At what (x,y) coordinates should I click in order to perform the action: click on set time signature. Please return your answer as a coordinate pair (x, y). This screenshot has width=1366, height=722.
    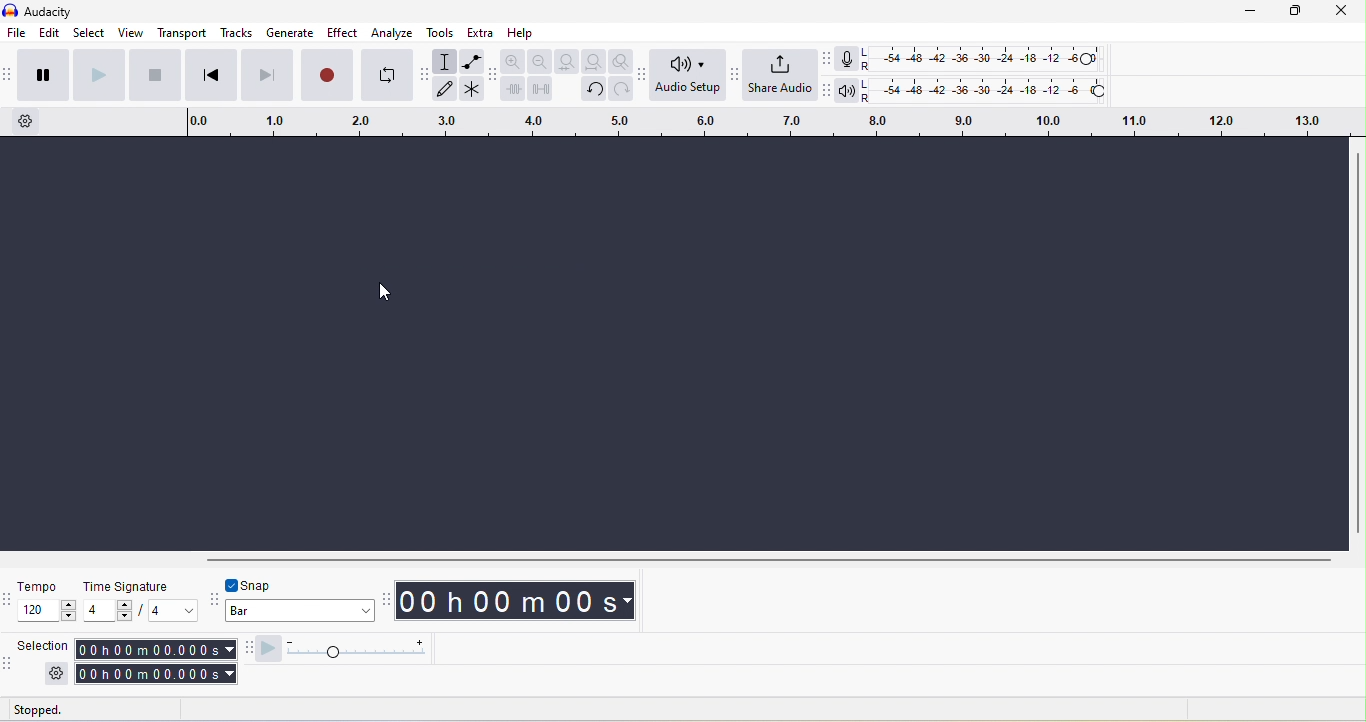
    Looking at the image, I should click on (174, 610).